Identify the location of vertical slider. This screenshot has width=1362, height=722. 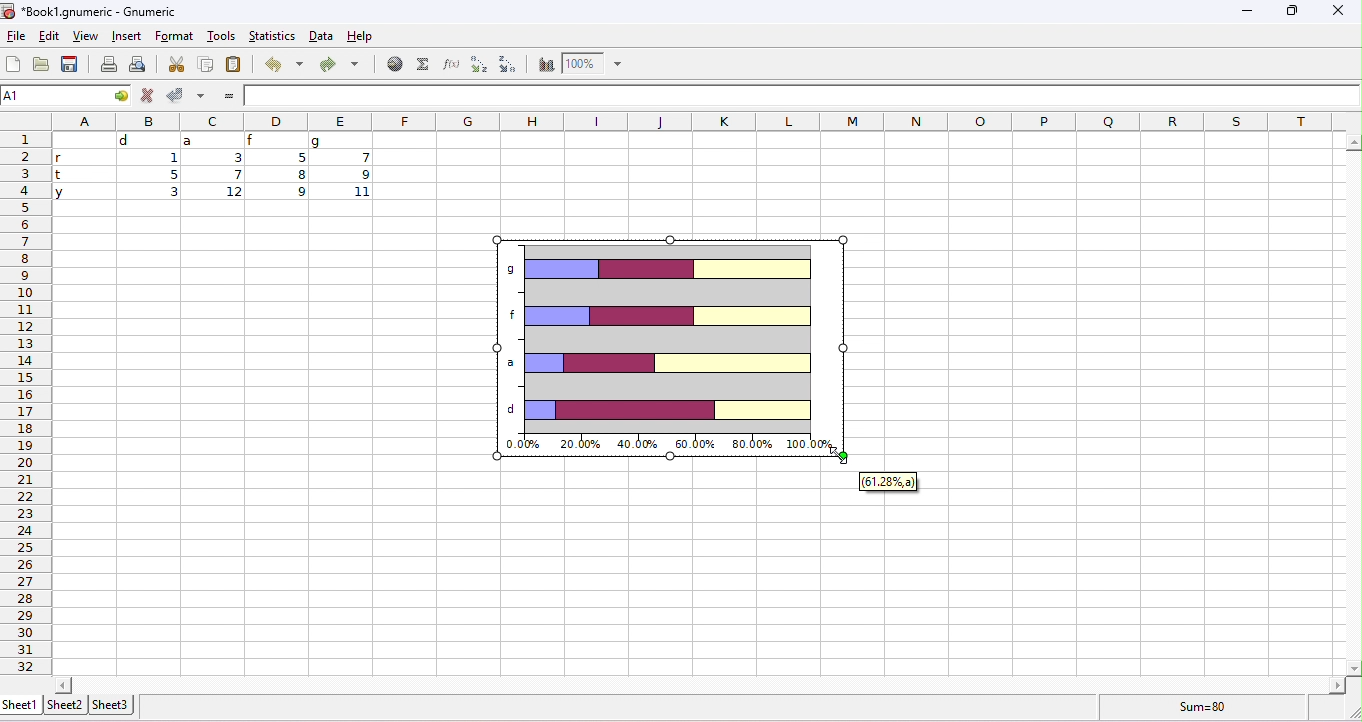
(1353, 403).